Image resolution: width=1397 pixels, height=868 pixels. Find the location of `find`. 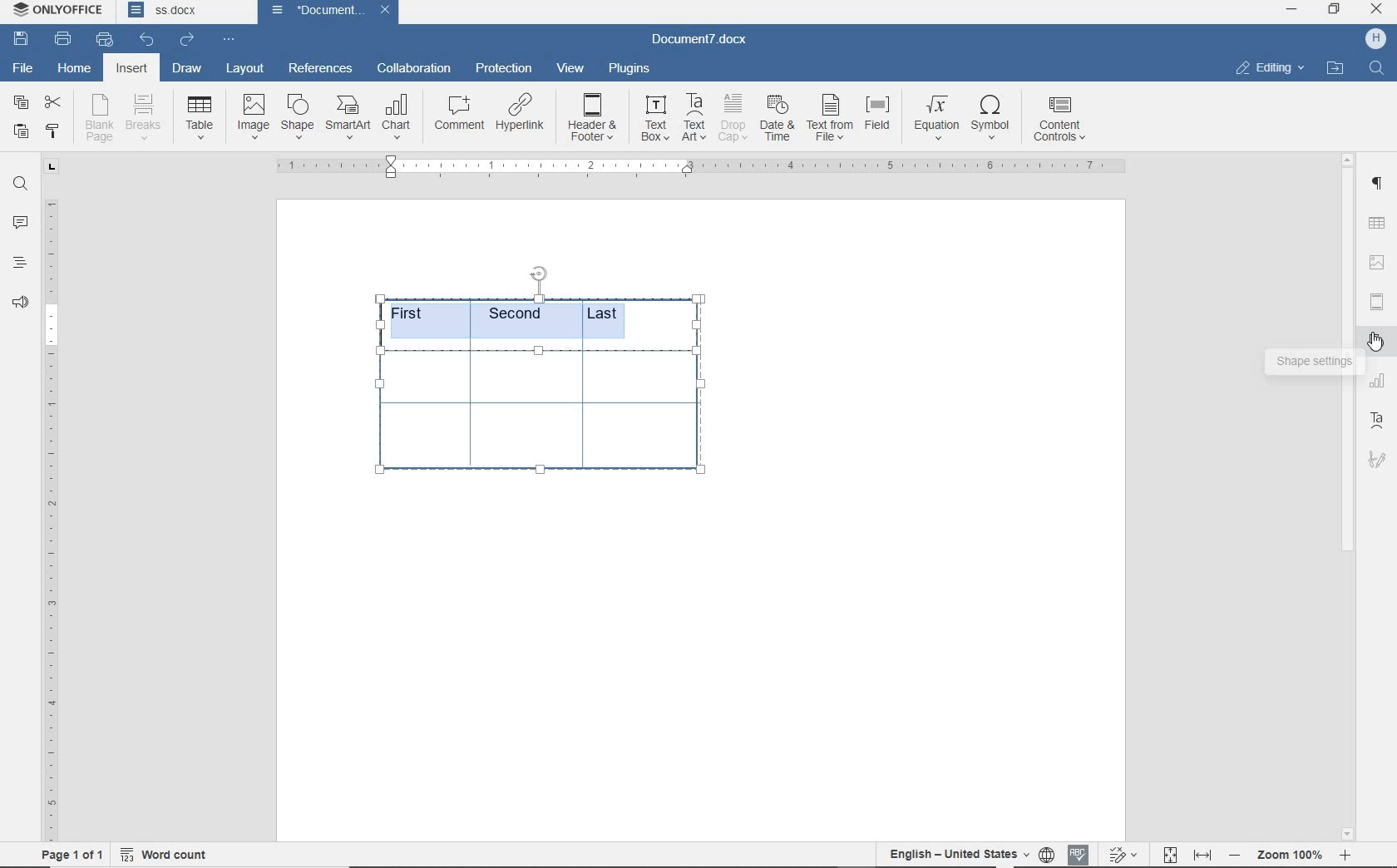

find is located at coordinates (20, 184).